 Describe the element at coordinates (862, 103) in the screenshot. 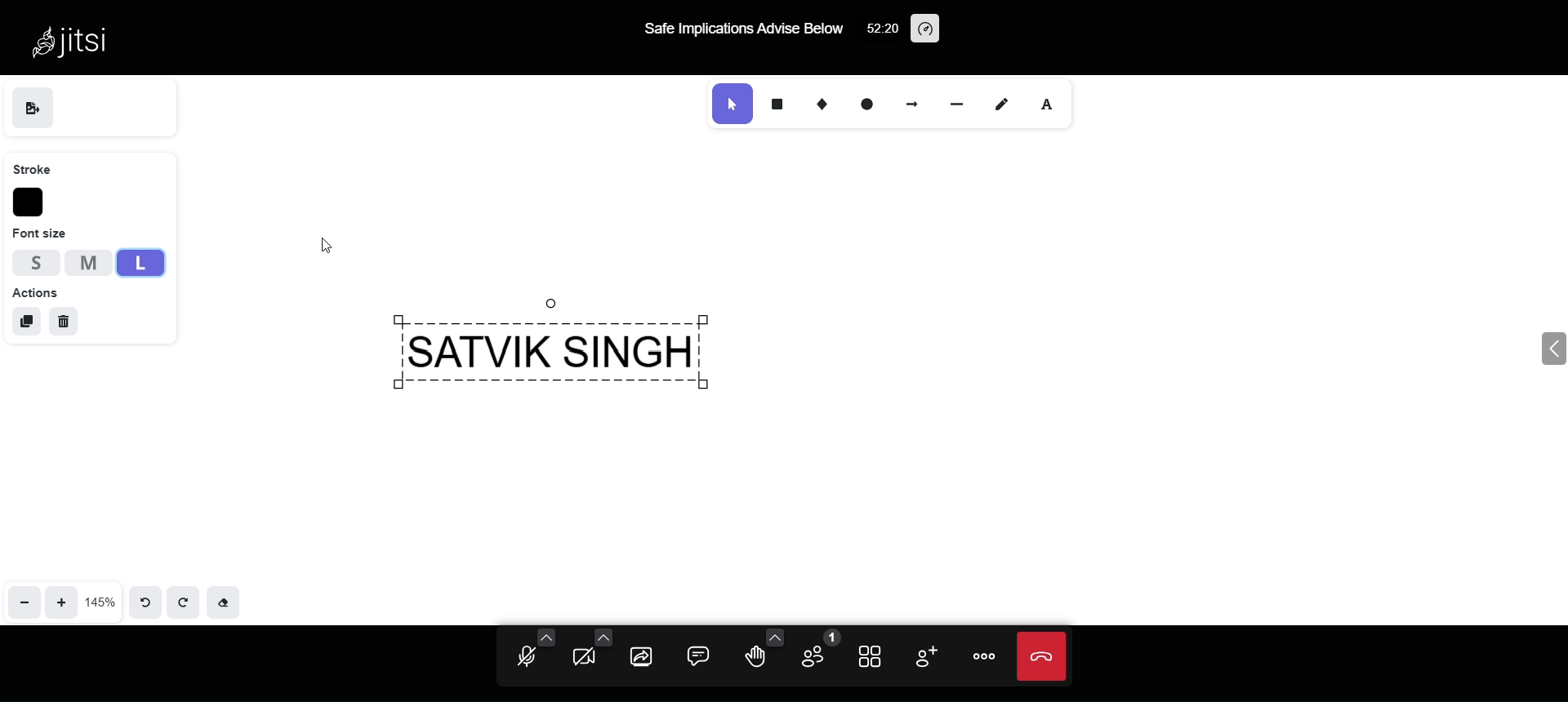

I see `ellipse` at that location.